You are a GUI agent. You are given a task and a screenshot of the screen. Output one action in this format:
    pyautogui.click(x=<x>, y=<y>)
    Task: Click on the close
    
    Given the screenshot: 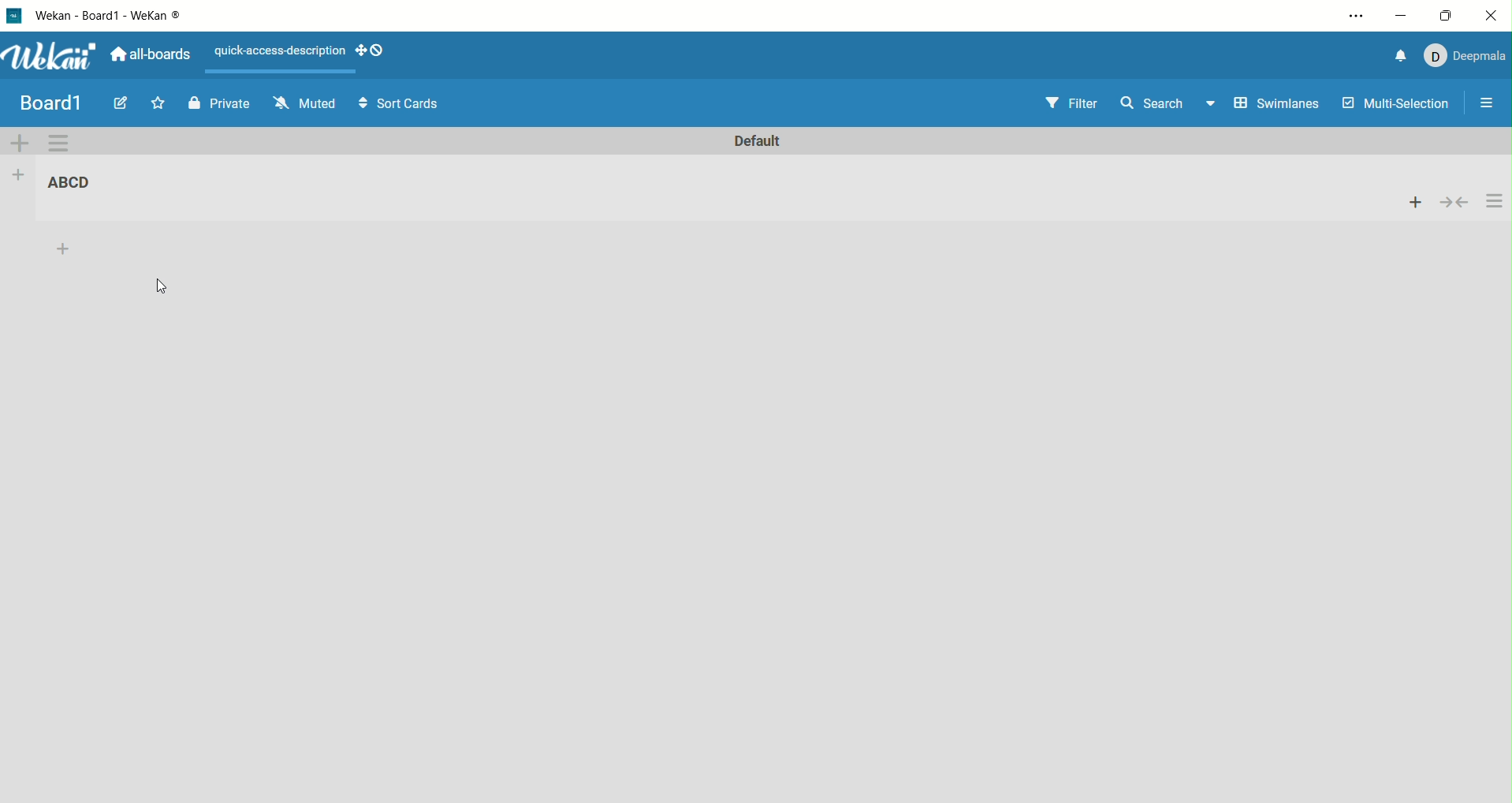 What is the action you would take?
    pyautogui.click(x=1492, y=14)
    